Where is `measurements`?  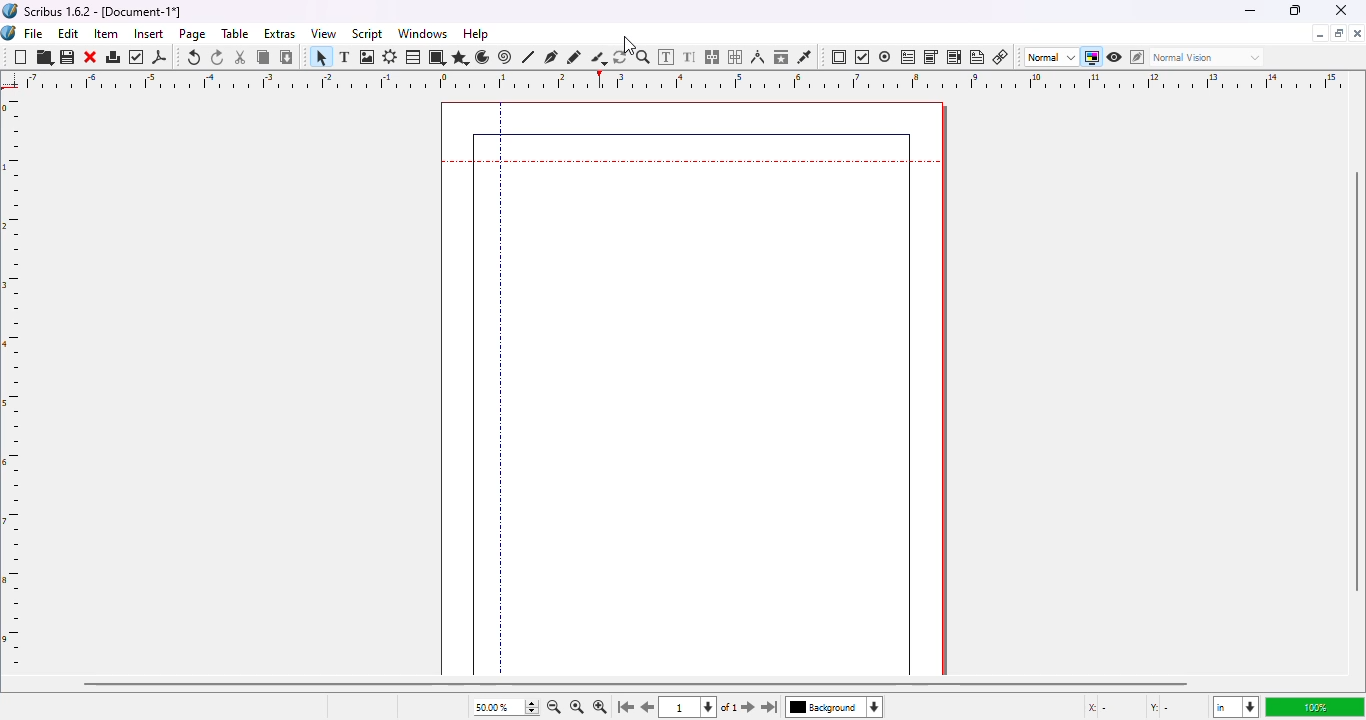
measurements is located at coordinates (758, 57).